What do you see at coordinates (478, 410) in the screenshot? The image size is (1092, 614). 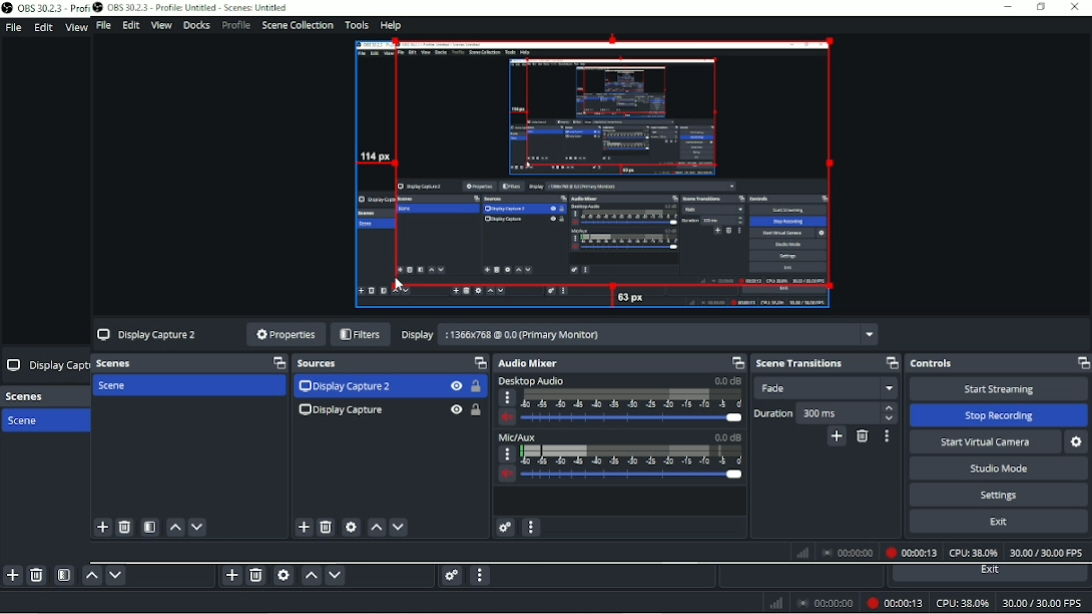 I see `Lock` at bounding box center [478, 410].